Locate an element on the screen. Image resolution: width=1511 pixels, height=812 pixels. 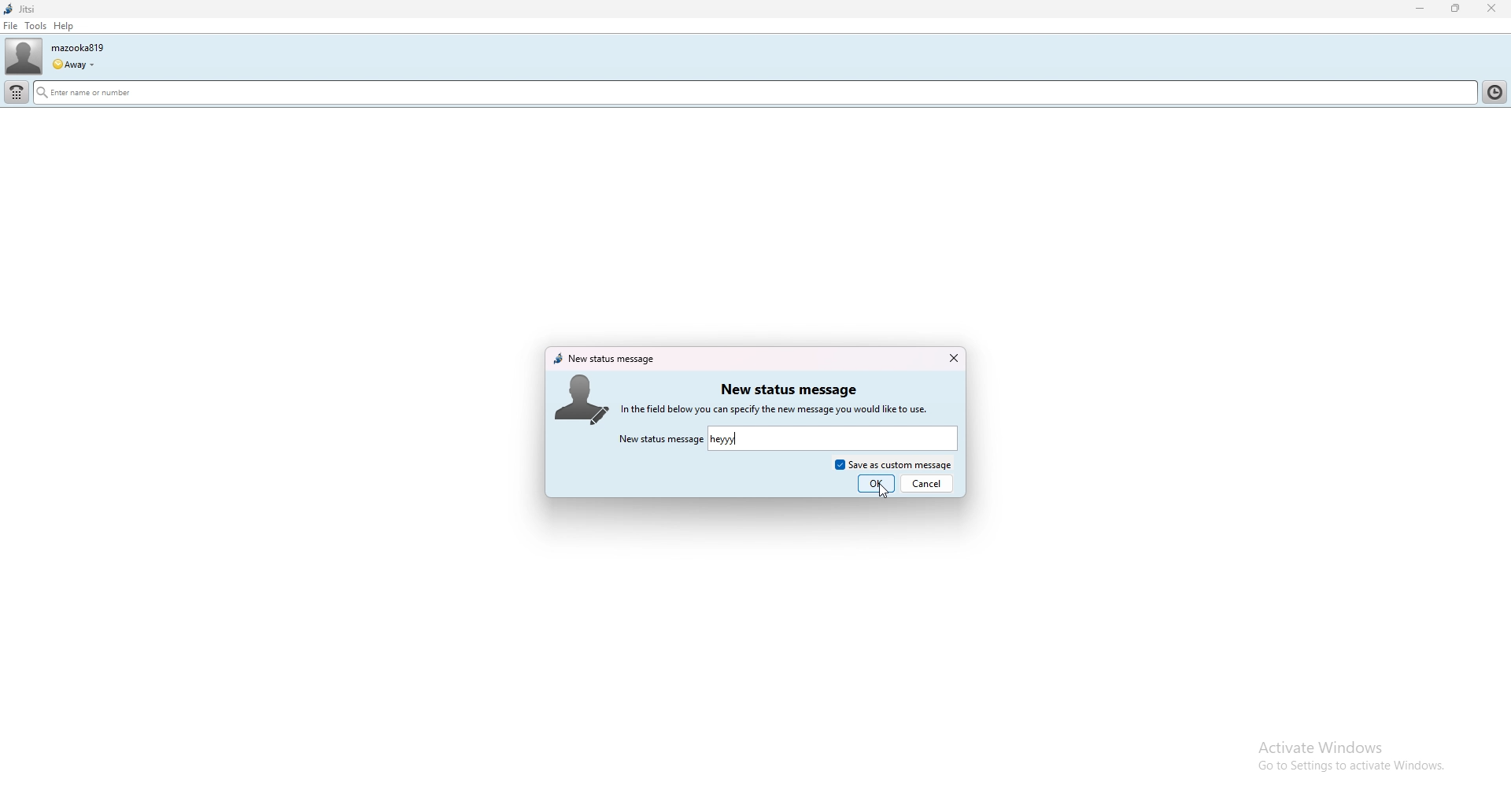
jitsi is located at coordinates (20, 9).